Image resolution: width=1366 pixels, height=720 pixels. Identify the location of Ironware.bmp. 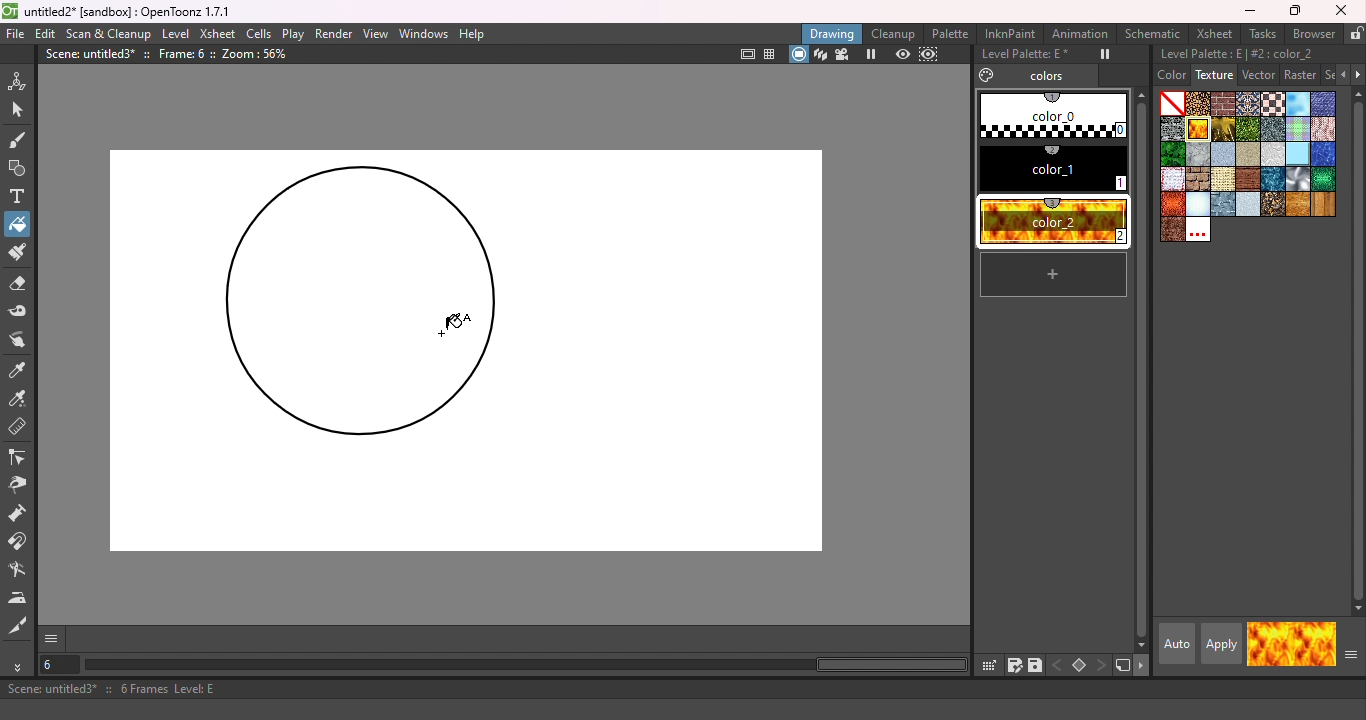
(1273, 129).